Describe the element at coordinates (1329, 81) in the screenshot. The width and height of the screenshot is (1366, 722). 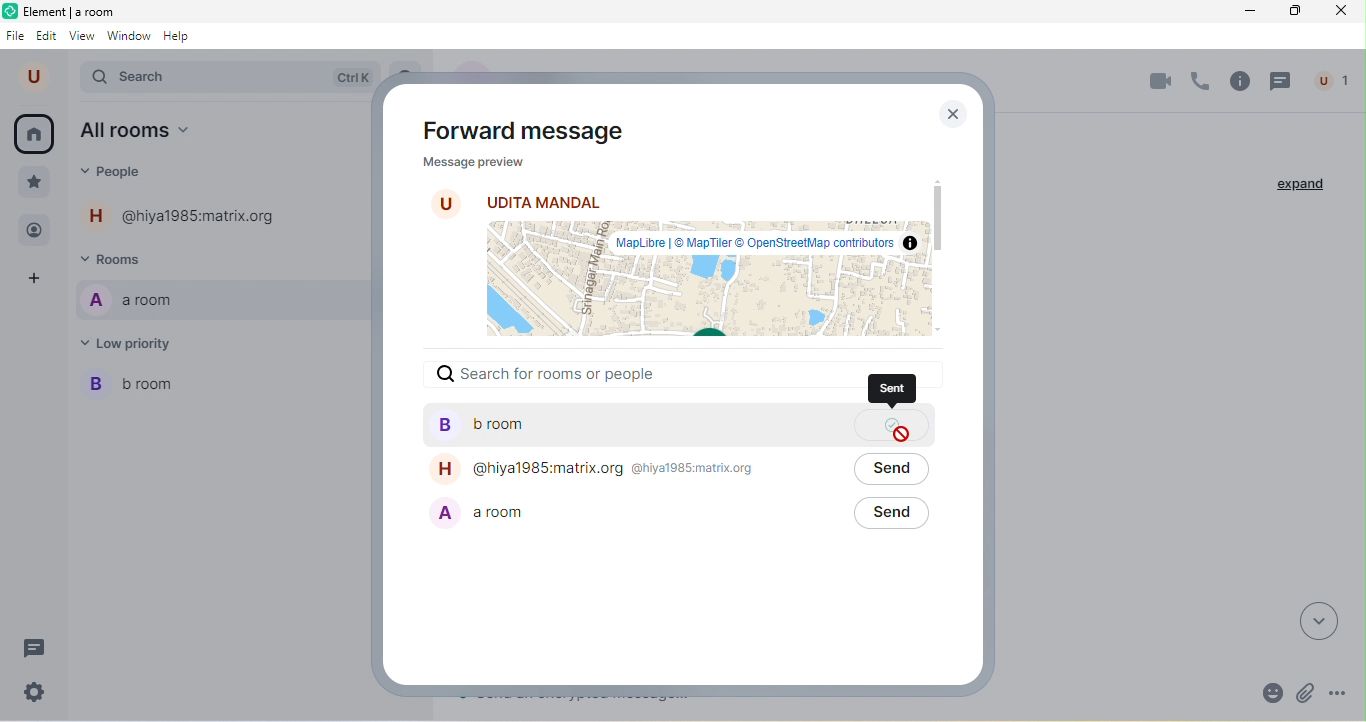
I see `people` at that location.